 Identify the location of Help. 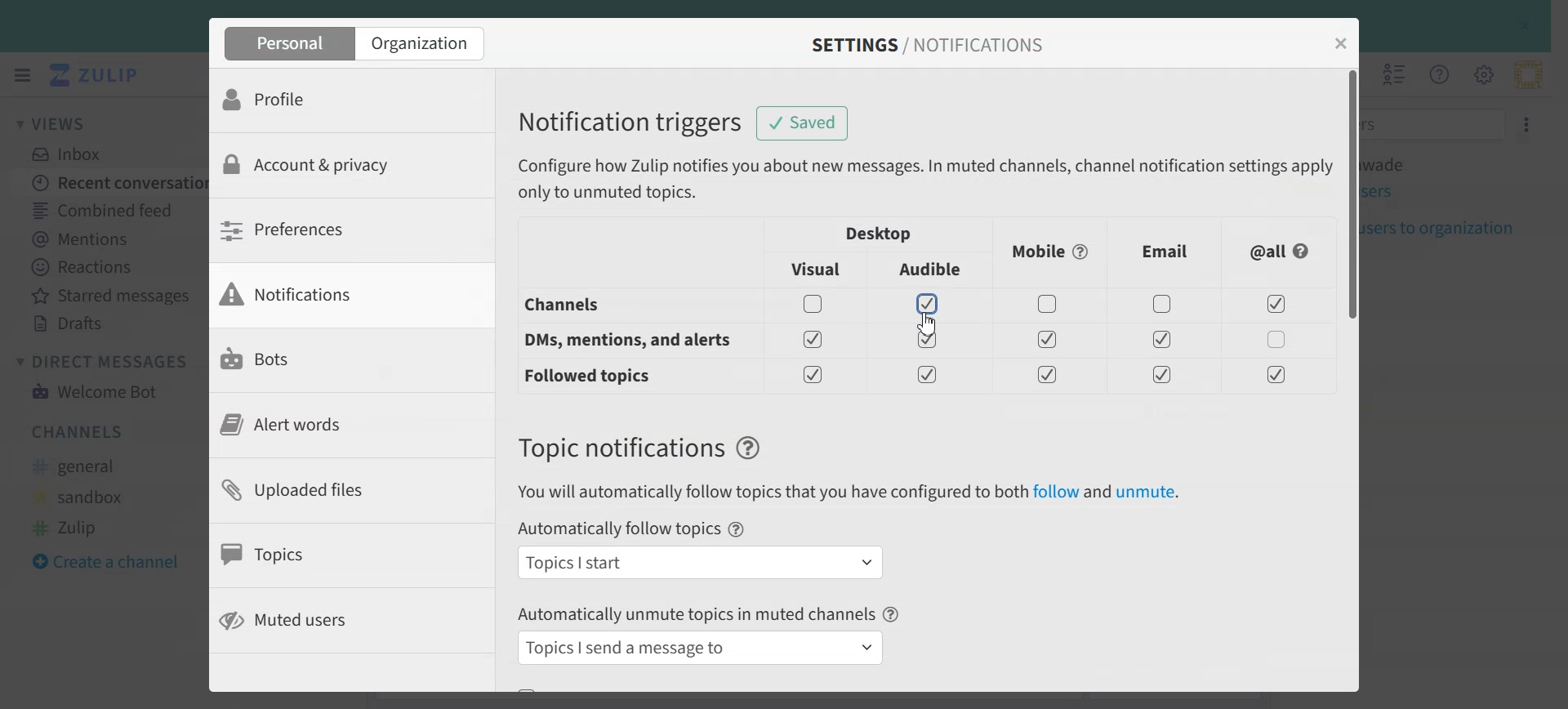
(749, 448).